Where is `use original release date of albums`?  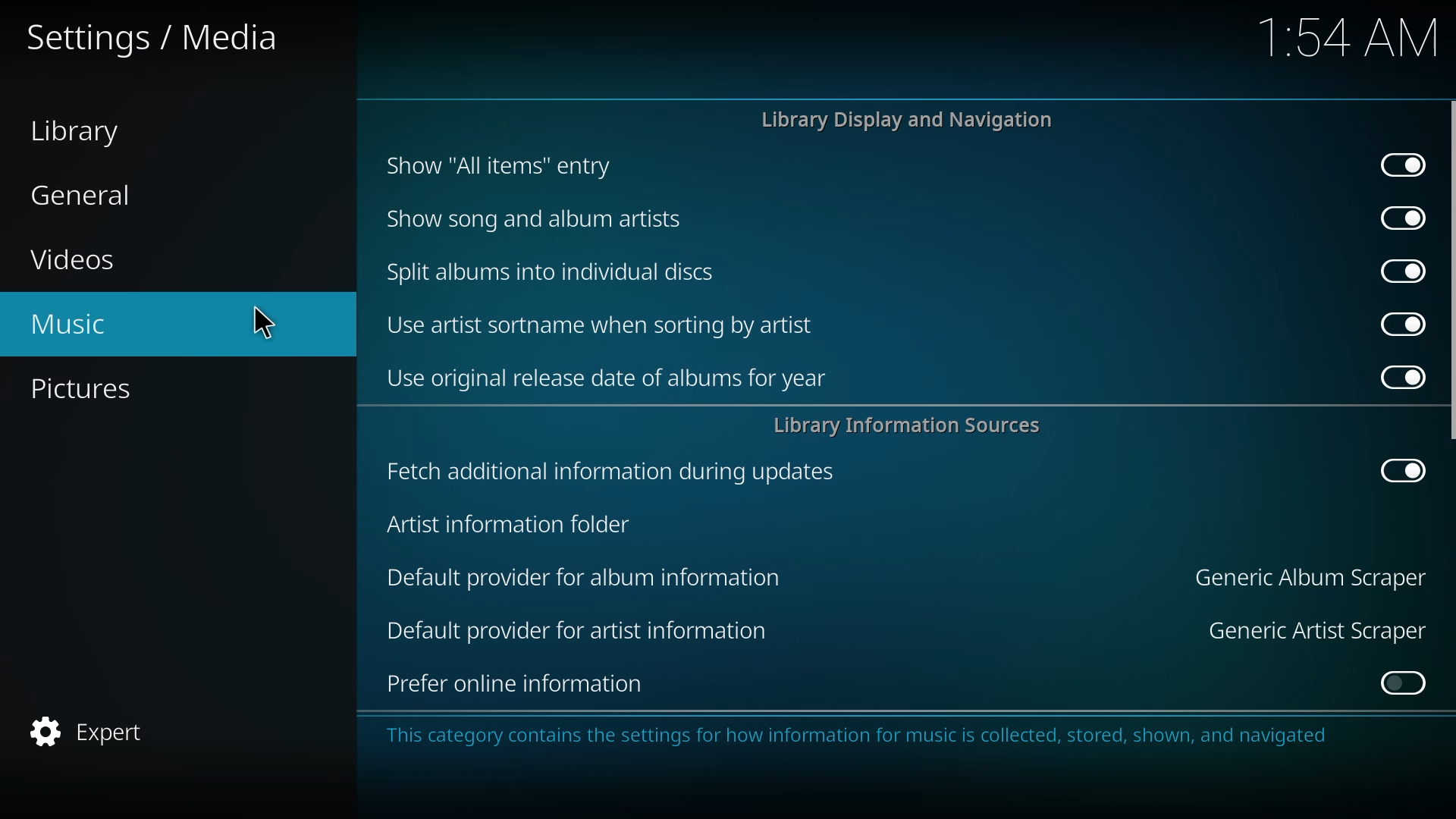
use original release date of albums is located at coordinates (607, 378).